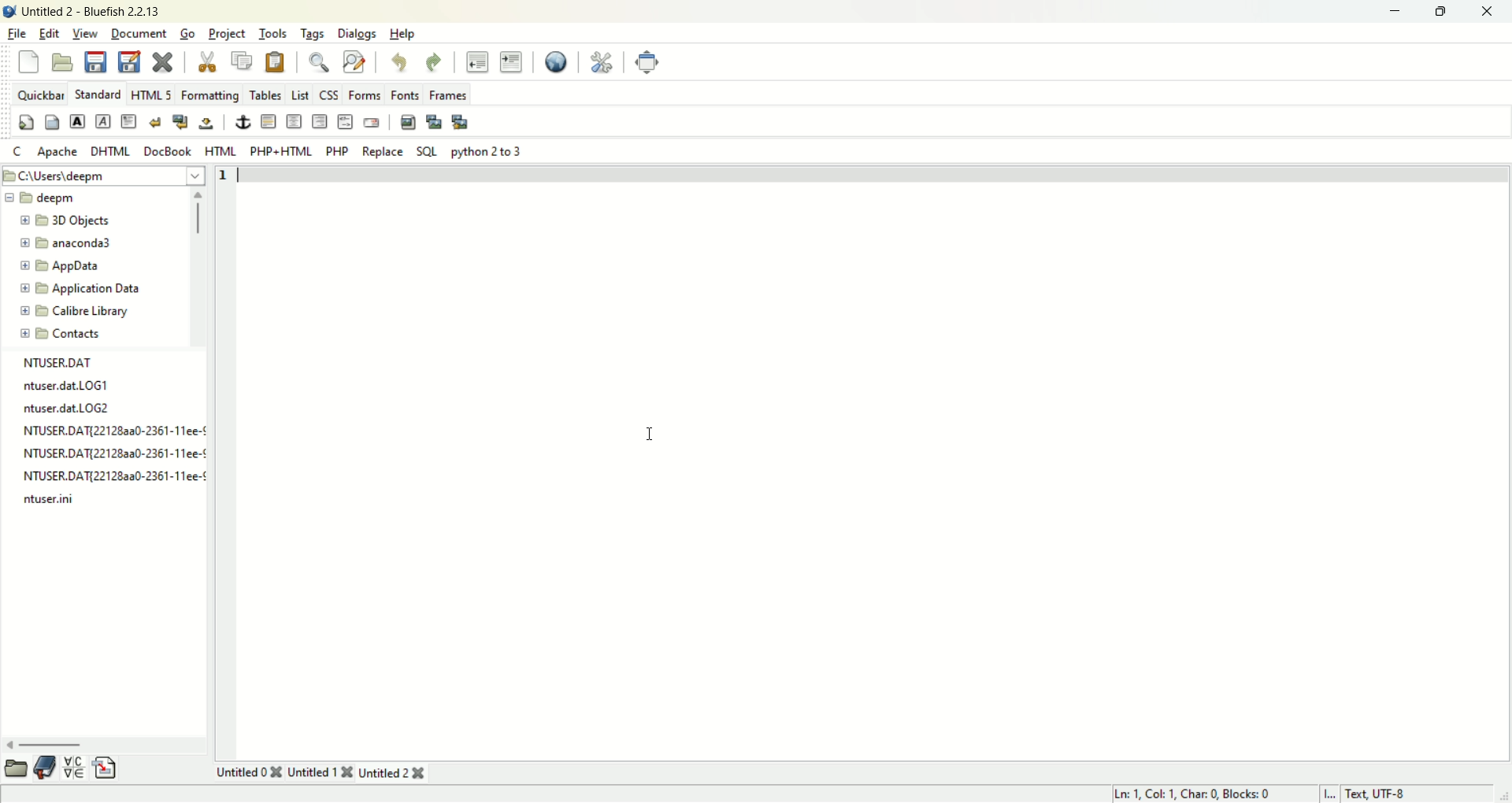 The image size is (1512, 803). Describe the element at coordinates (1393, 12) in the screenshot. I see `minimize` at that location.